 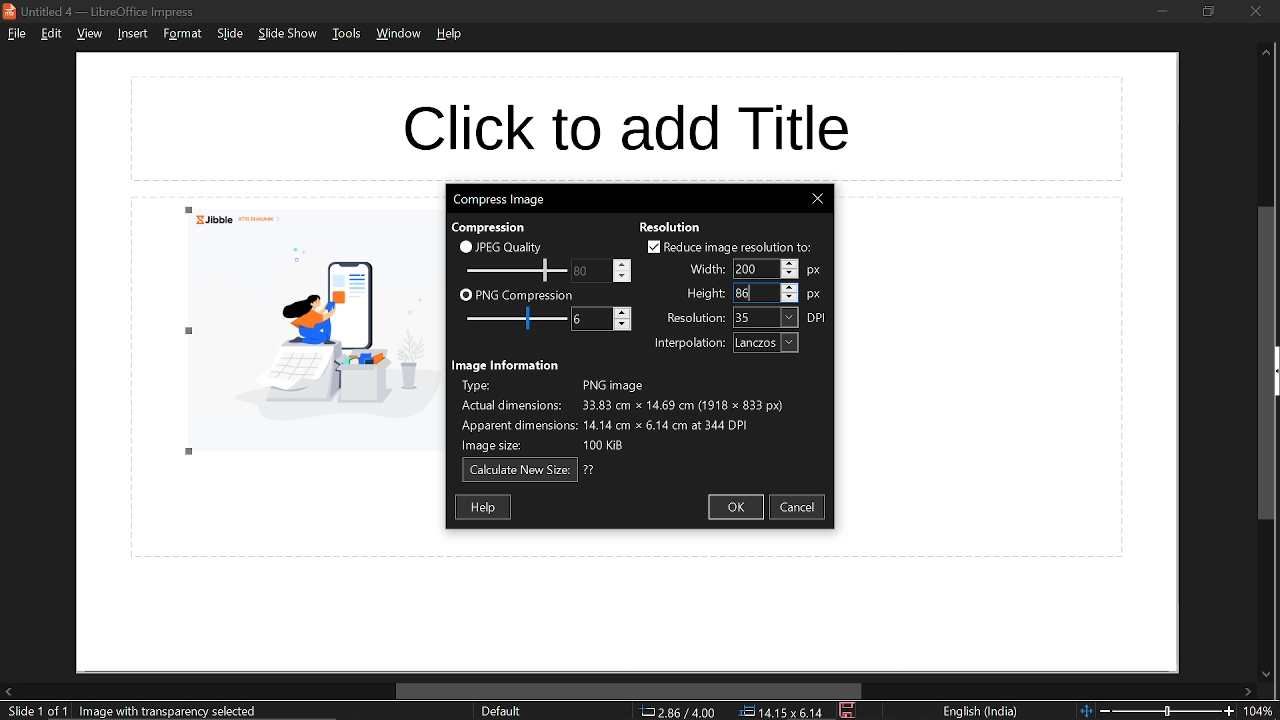 I want to click on Close, so click(x=817, y=199).